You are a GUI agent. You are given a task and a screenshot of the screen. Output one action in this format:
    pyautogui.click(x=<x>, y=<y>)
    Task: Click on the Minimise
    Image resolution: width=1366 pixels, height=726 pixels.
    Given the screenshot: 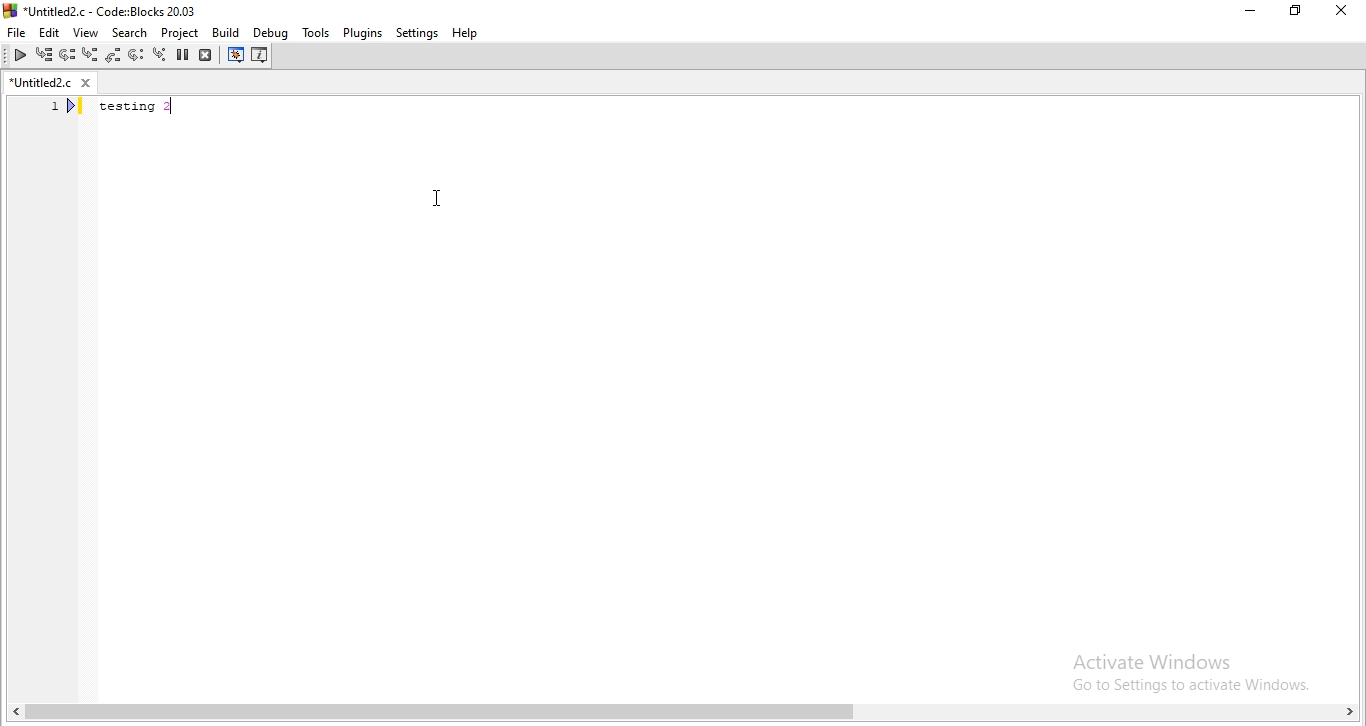 What is the action you would take?
    pyautogui.click(x=1249, y=11)
    